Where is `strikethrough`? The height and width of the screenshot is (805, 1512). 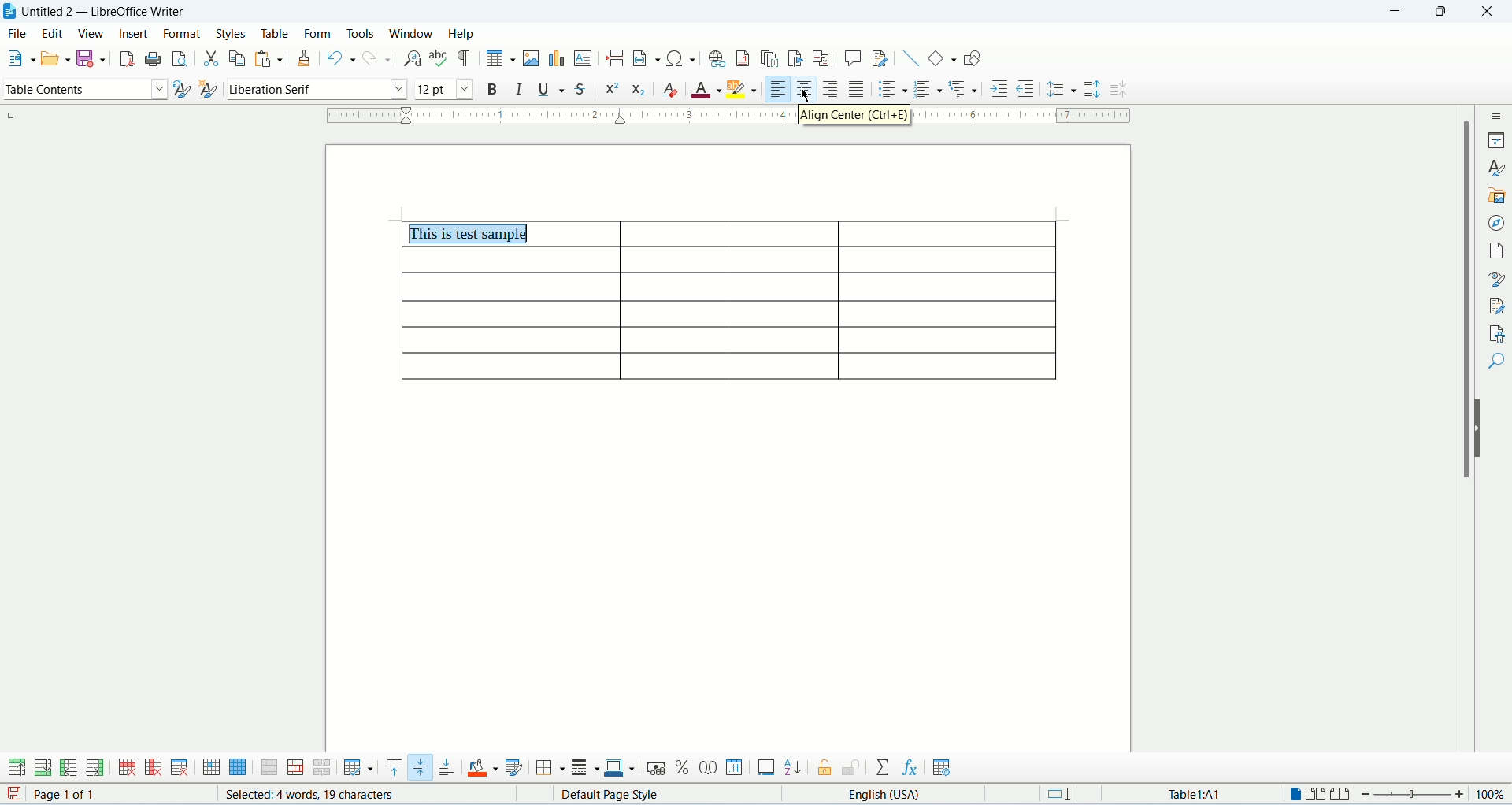
strikethrough is located at coordinates (578, 90).